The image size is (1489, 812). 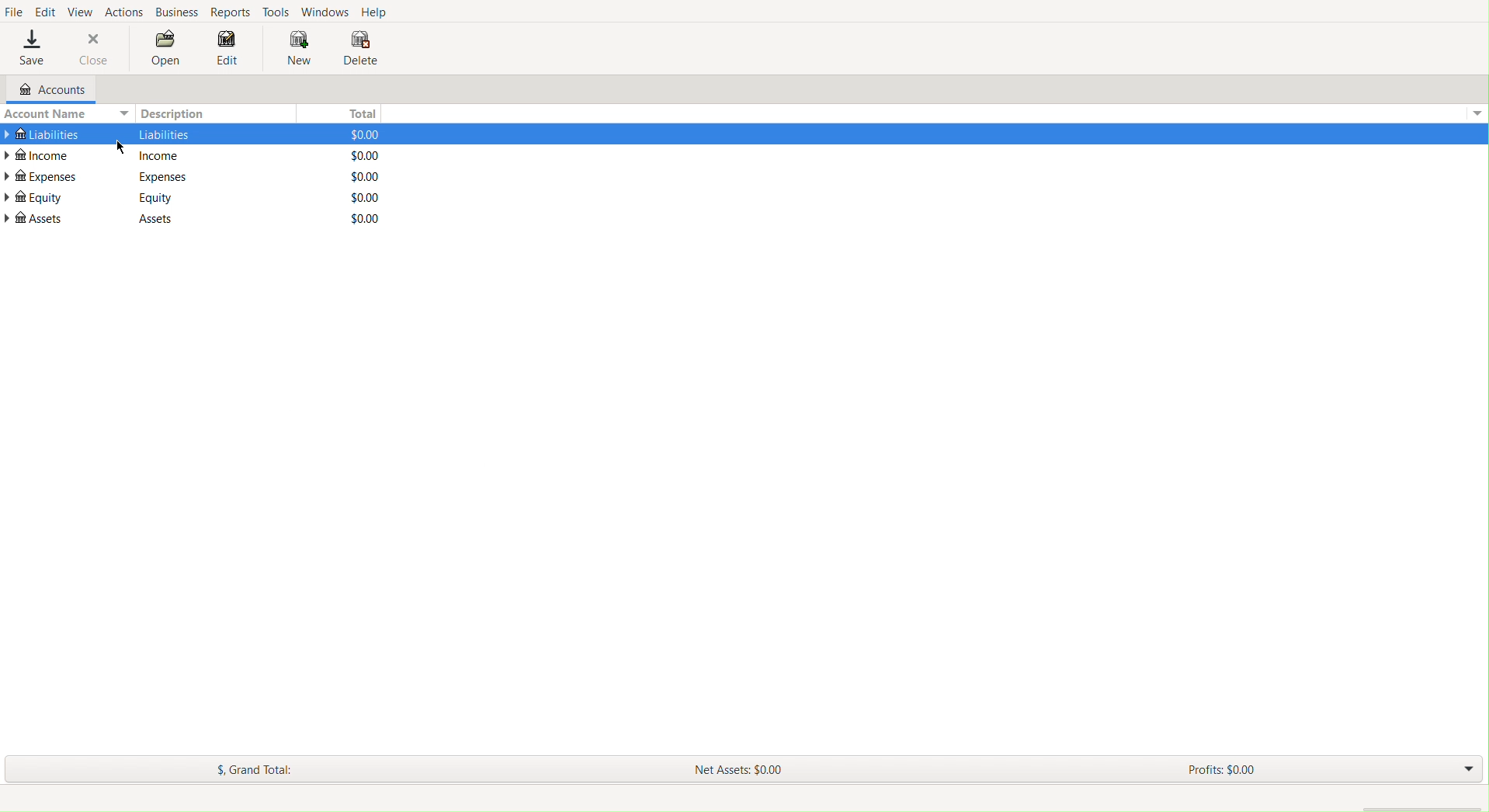 What do you see at coordinates (161, 156) in the screenshot?
I see `income` at bounding box center [161, 156].